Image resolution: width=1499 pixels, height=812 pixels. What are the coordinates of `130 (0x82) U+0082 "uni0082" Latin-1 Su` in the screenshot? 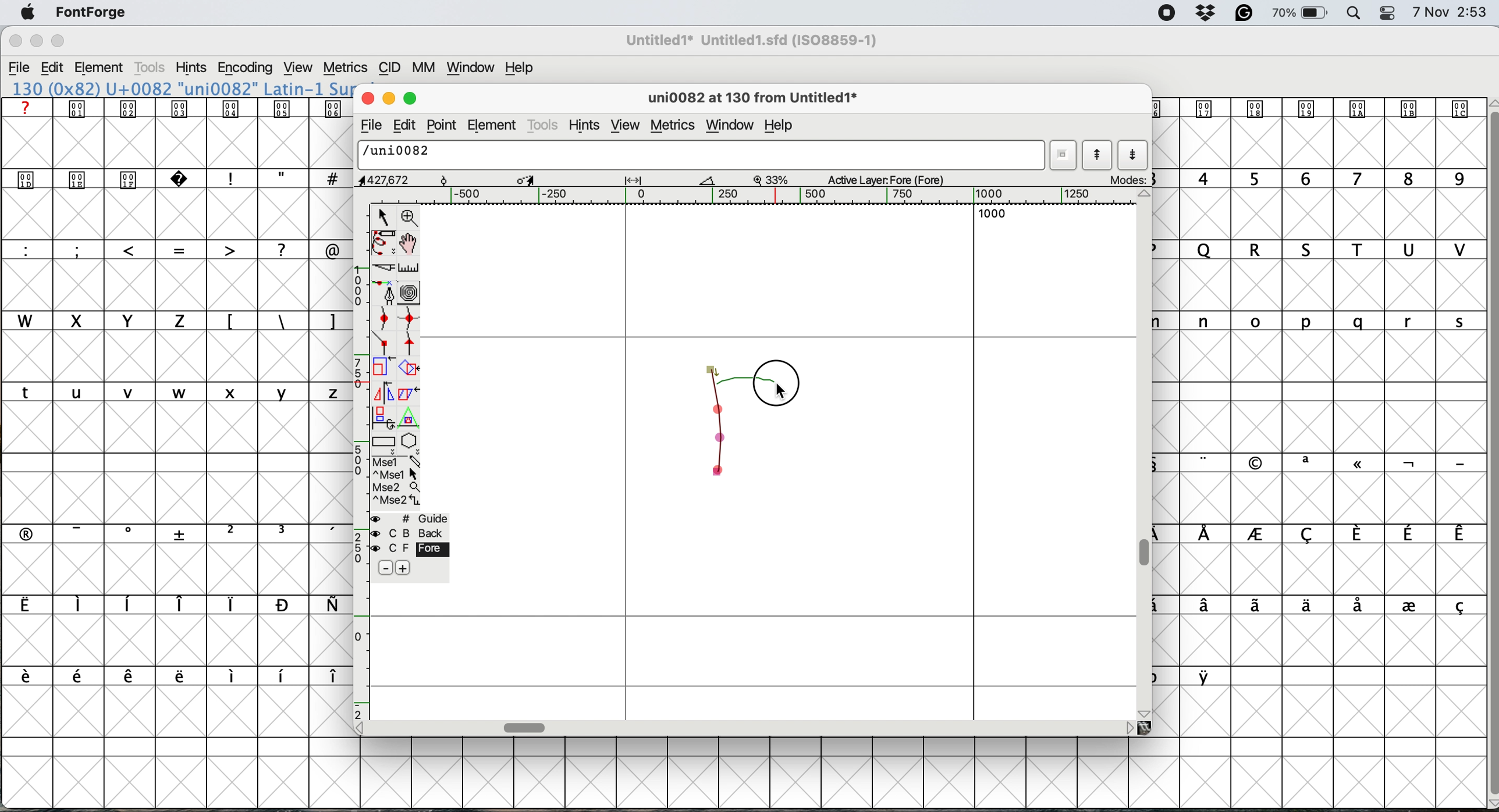 It's located at (182, 88).